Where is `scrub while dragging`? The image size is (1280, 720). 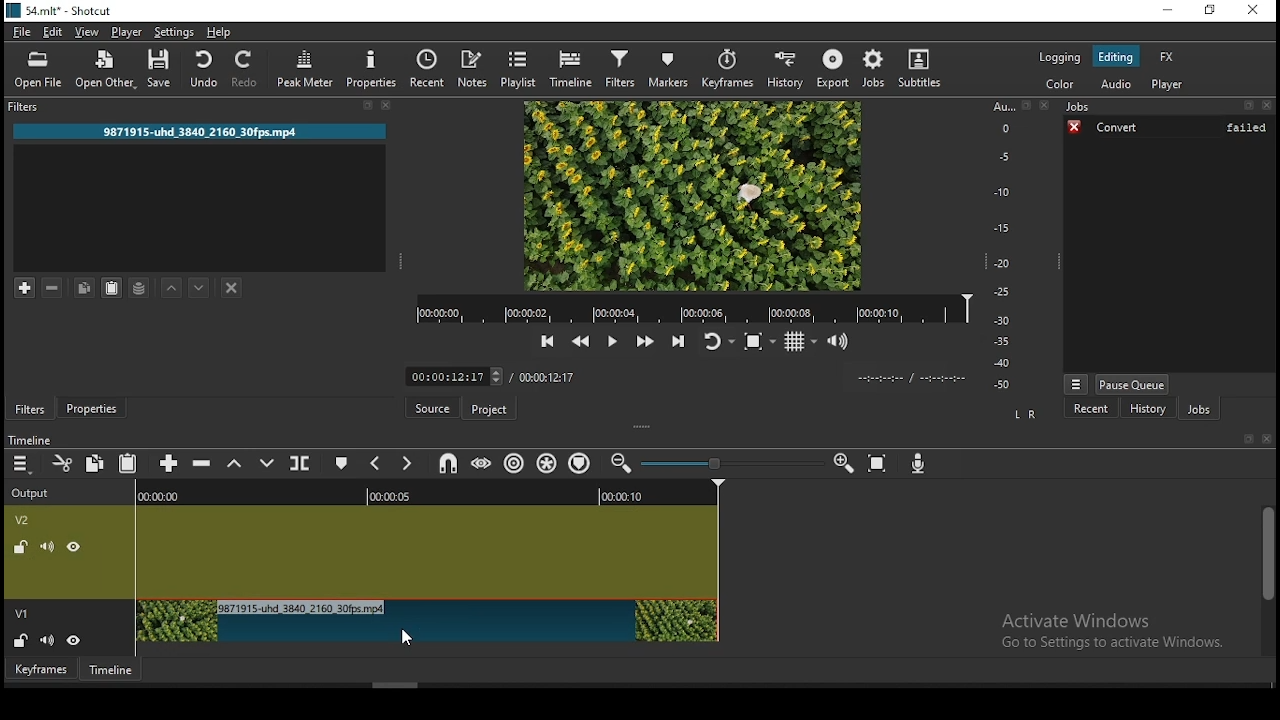
scrub while dragging is located at coordinates (483, 463).